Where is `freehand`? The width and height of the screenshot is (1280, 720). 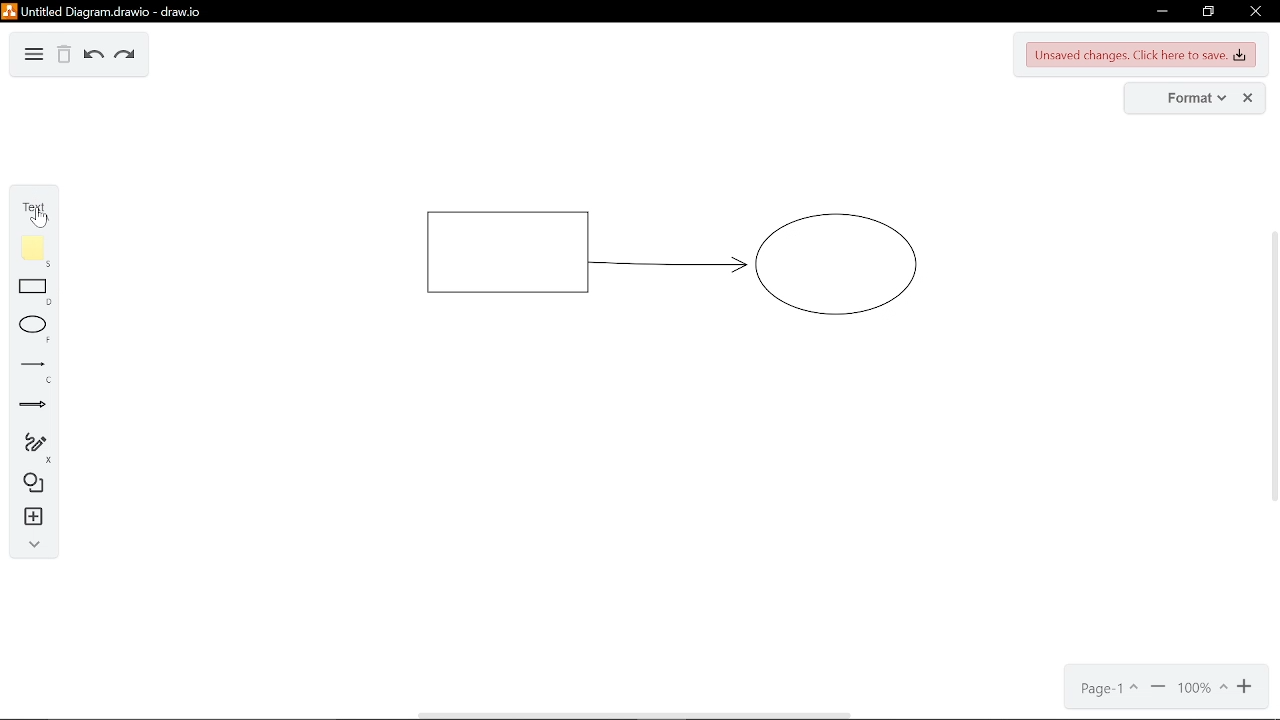
freehand is located at coordinates (36, 446).